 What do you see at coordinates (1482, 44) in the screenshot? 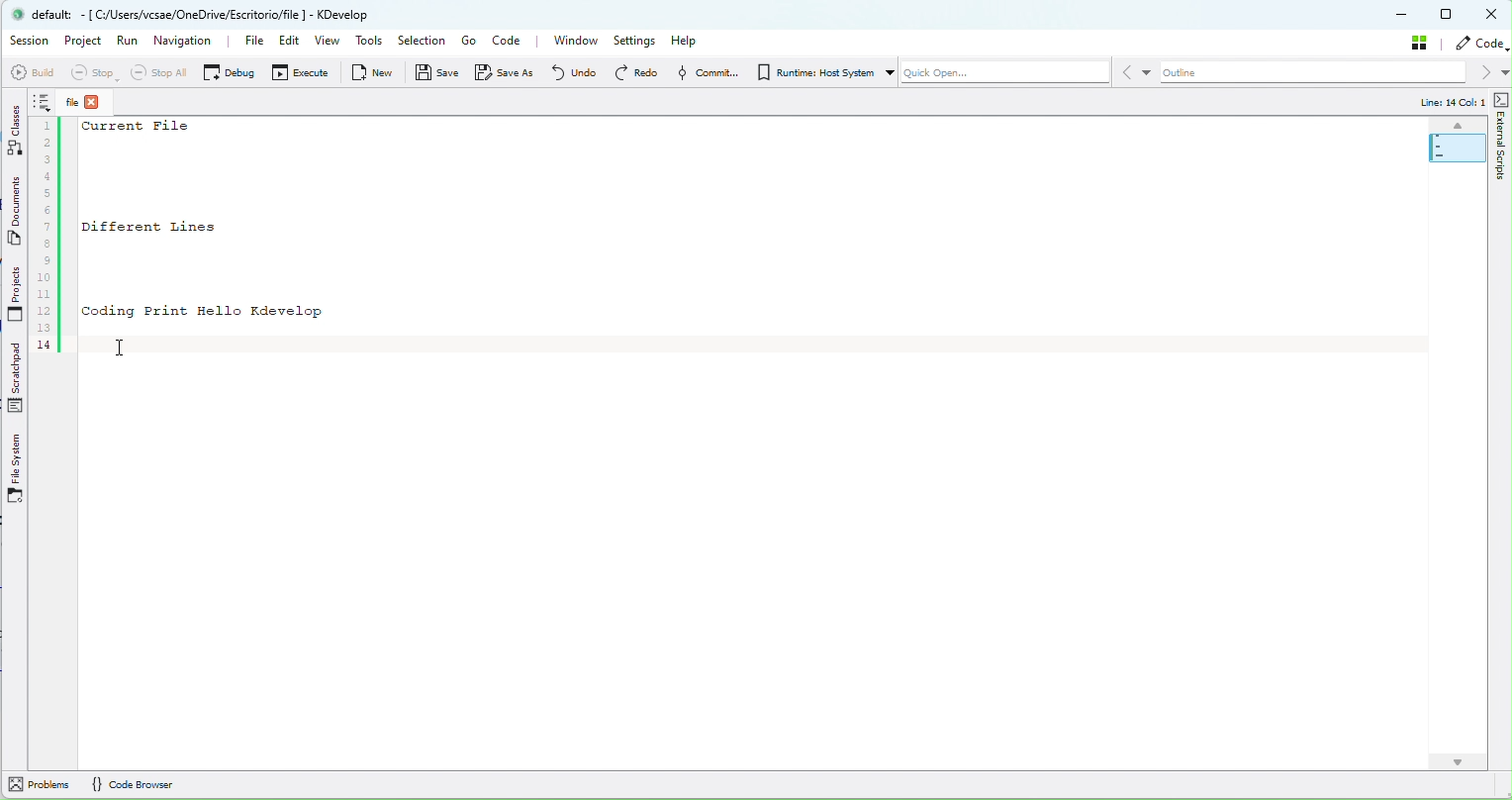
I see `code` at bounding box center [1482, 44].